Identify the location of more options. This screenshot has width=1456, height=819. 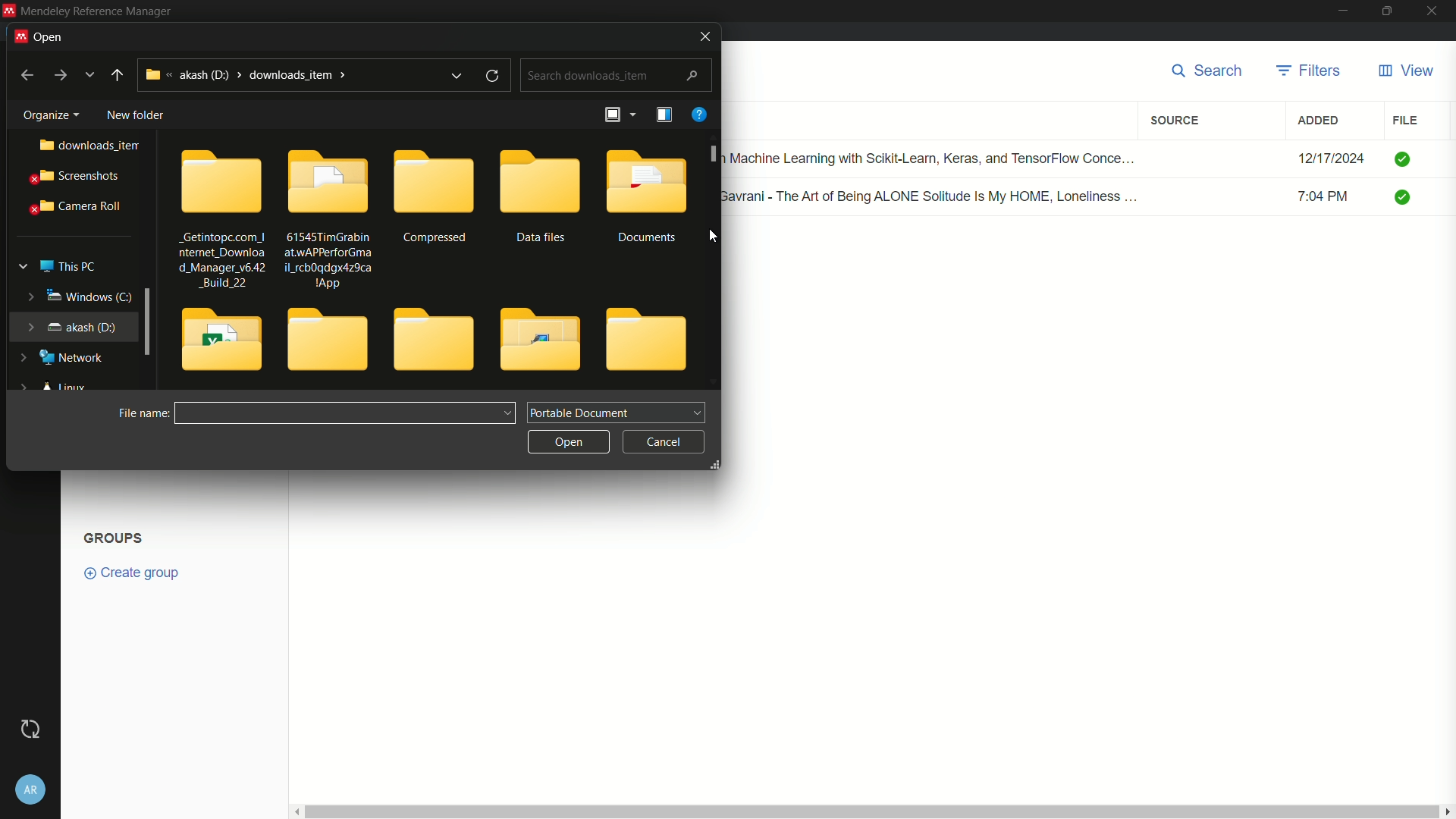
(91, 75).